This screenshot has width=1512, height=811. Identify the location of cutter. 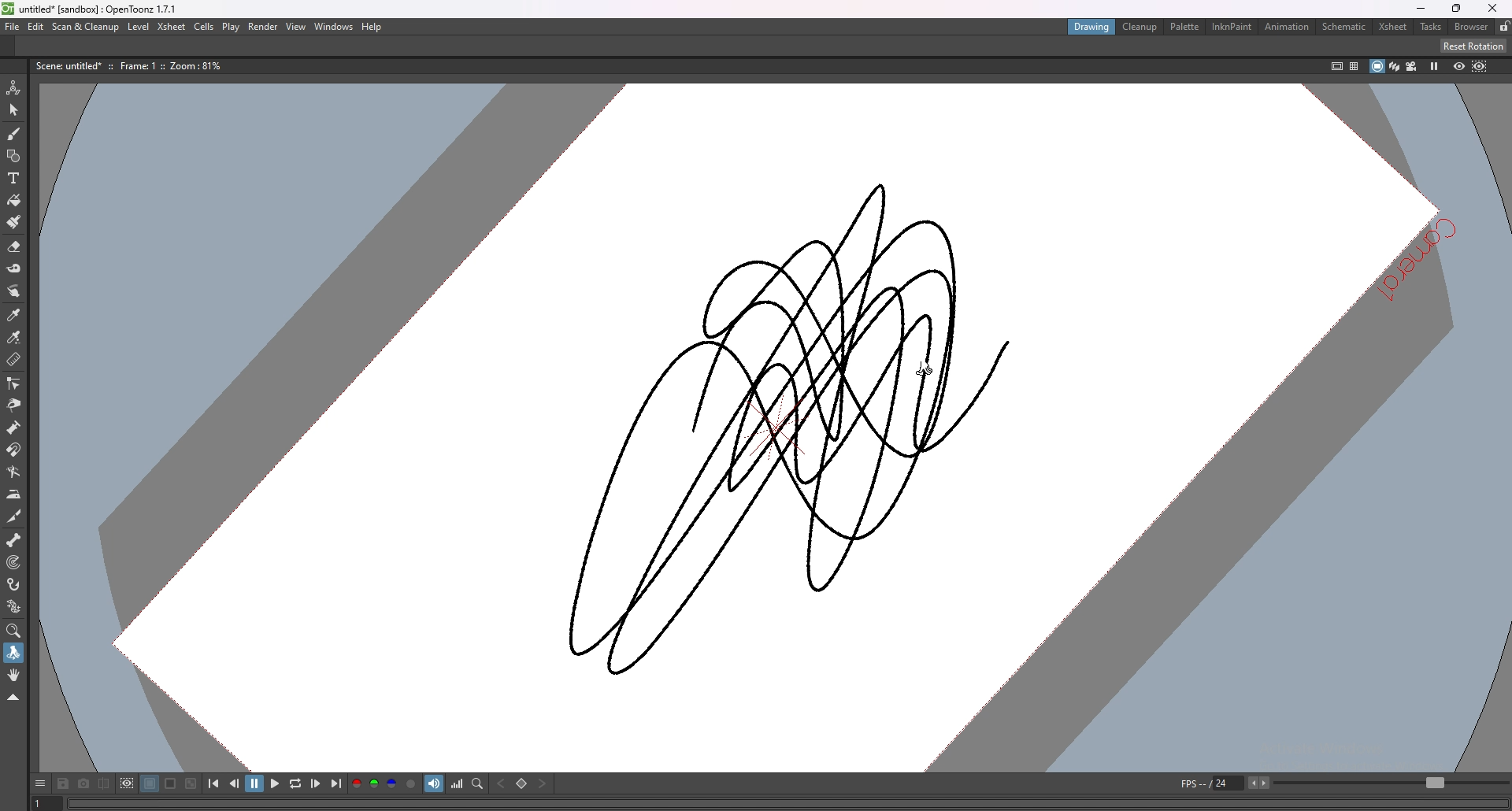
(13, 517).